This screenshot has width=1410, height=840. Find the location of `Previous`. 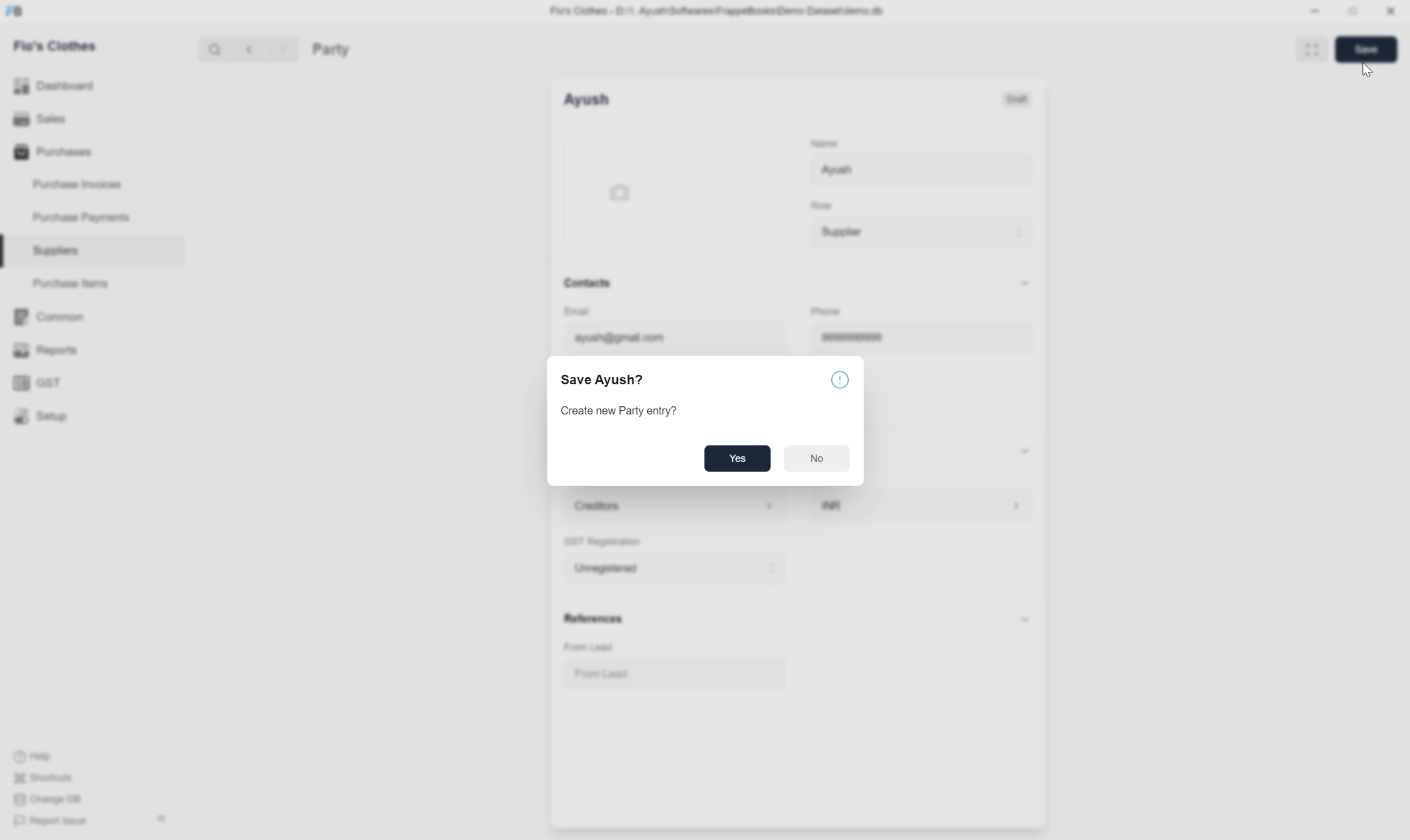

Previous is located at coordinates (249, 49).